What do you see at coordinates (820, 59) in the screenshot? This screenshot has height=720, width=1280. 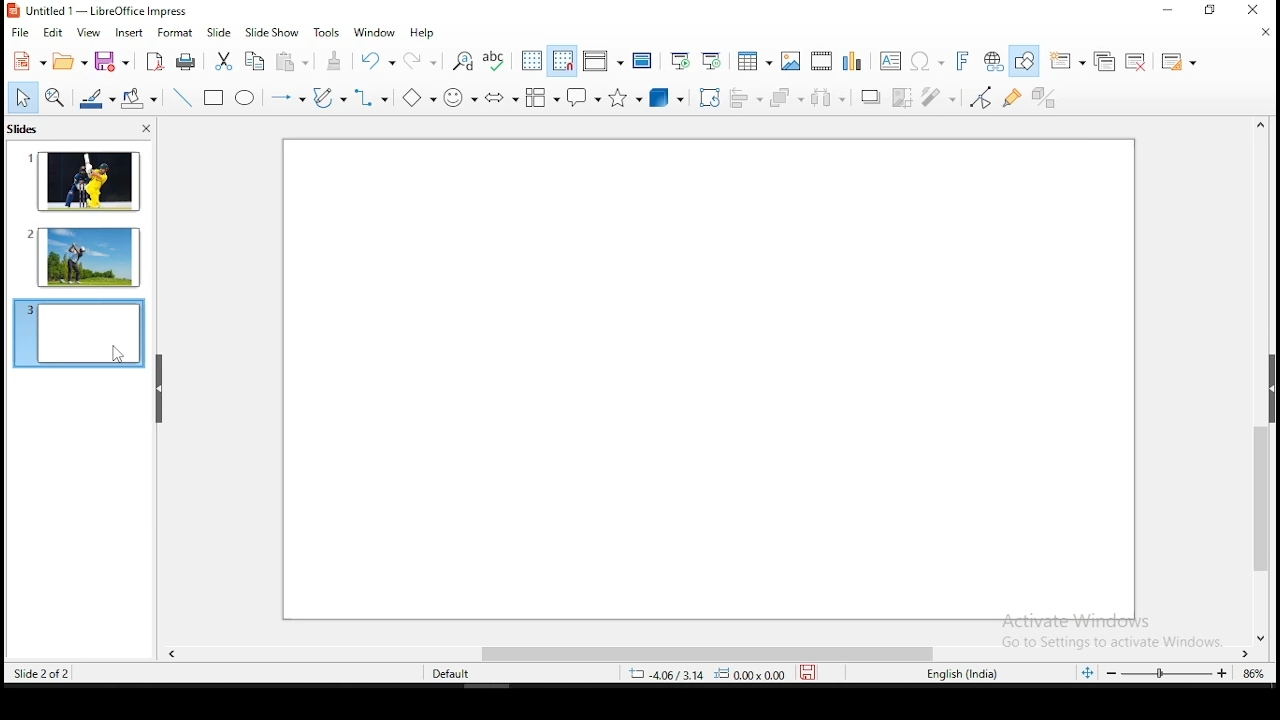 I see `insert video` at bounding box center [820, 59].